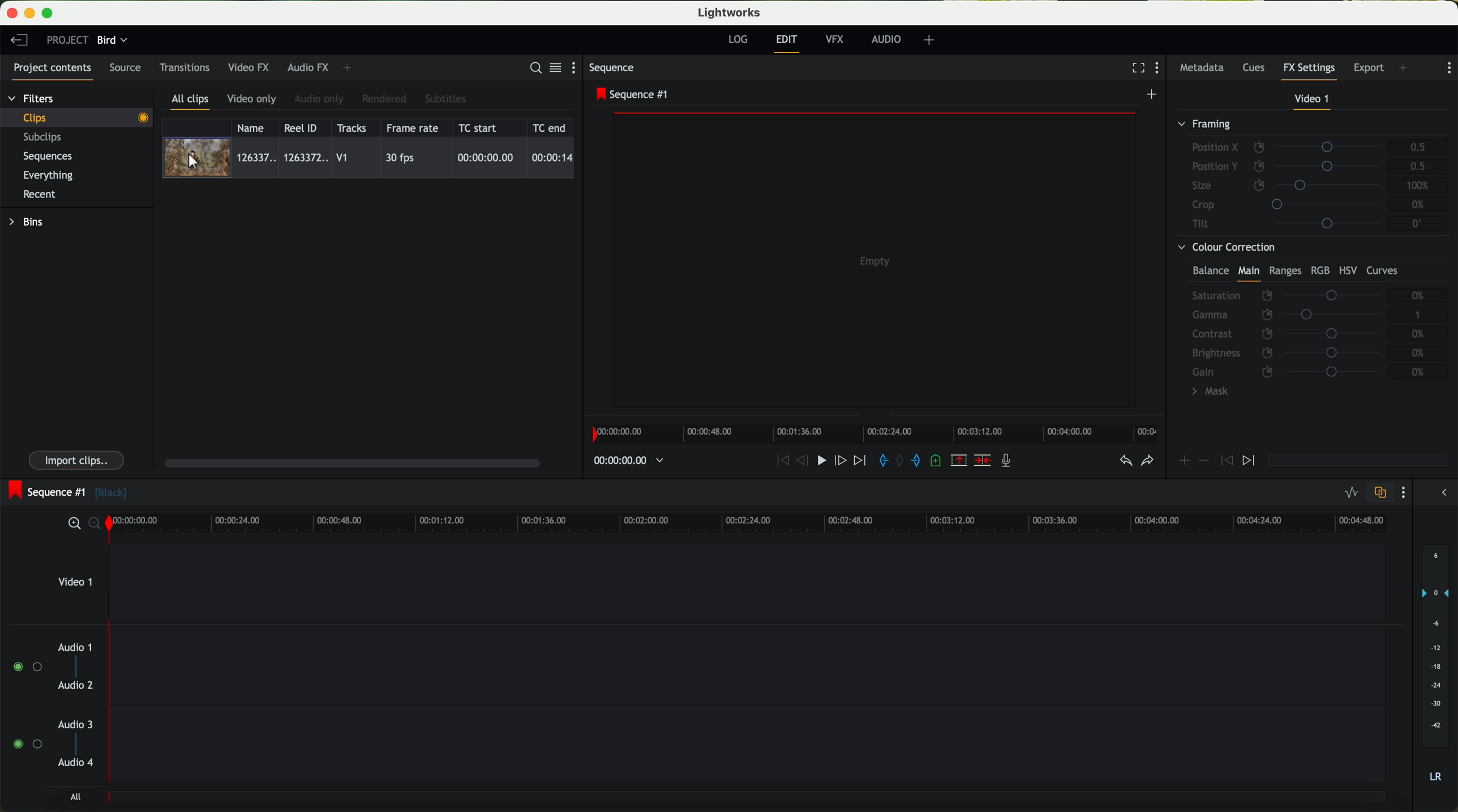 Image resolution: width=1458 pixels, height=812 pixels. I want to click on audio only, so click(320, 99).